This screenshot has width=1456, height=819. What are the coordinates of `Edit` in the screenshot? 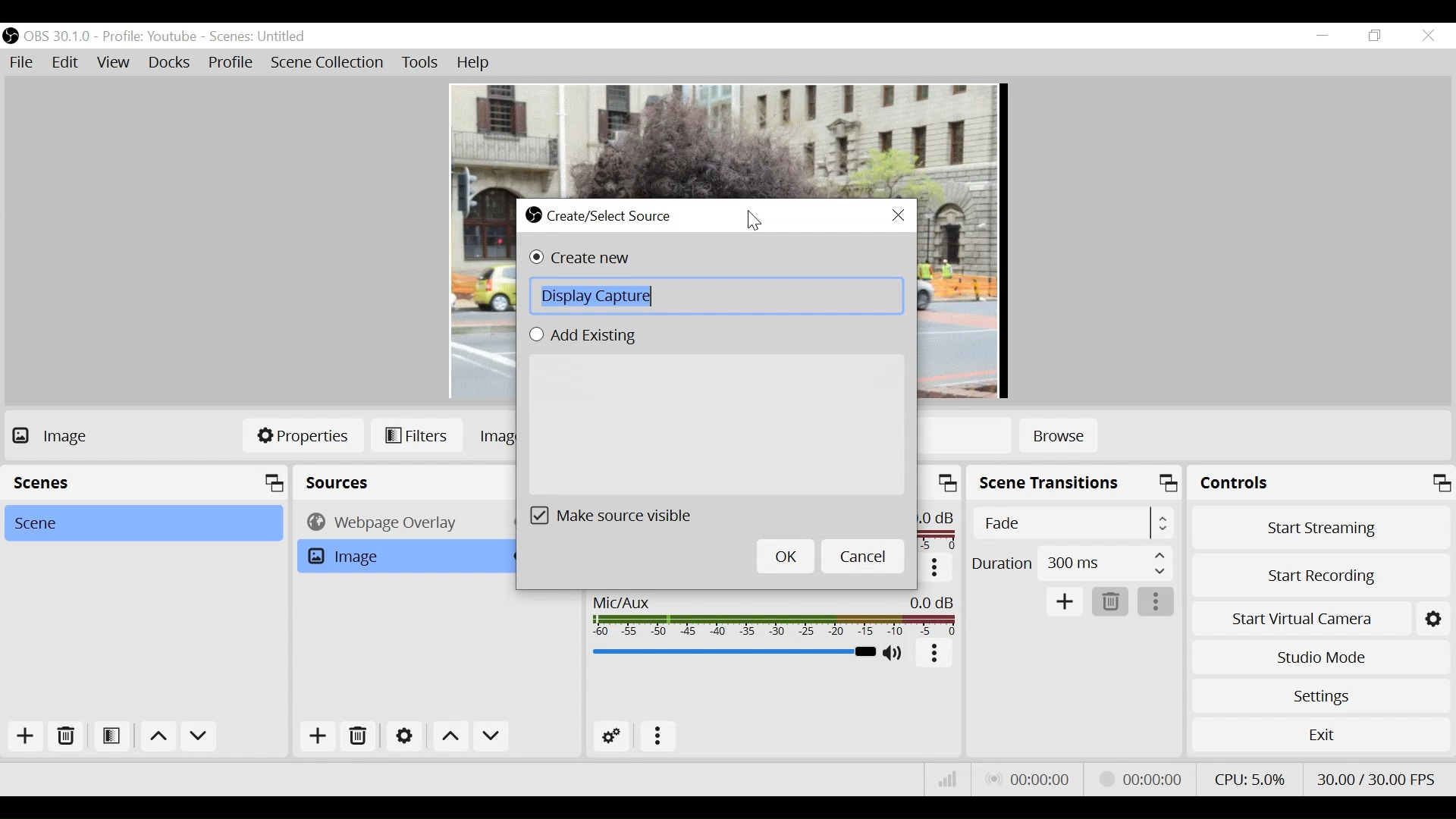 It's located at (66, 62).